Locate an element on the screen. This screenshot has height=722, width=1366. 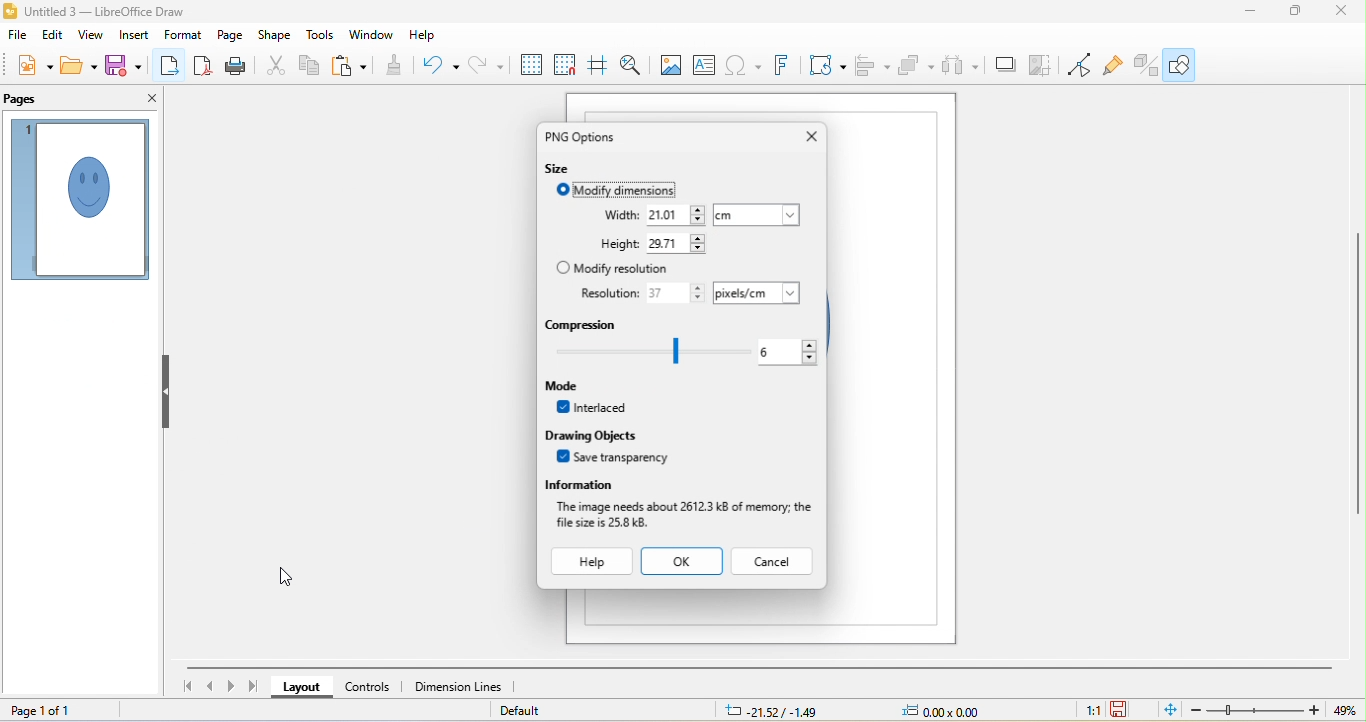
arrange is located at coordinates (914, 66).